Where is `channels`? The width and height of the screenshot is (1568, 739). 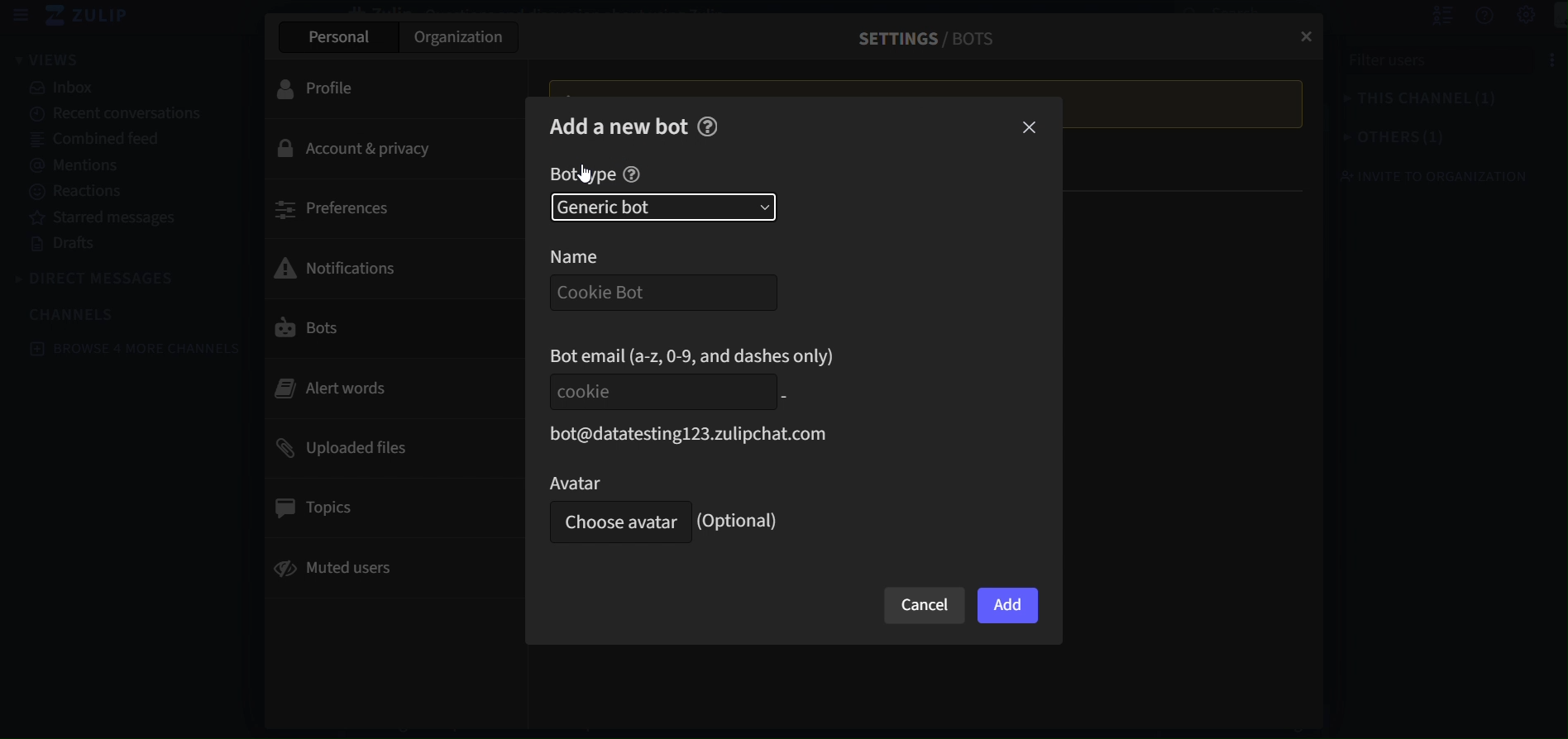 channels is located at coordinates (83, 313).